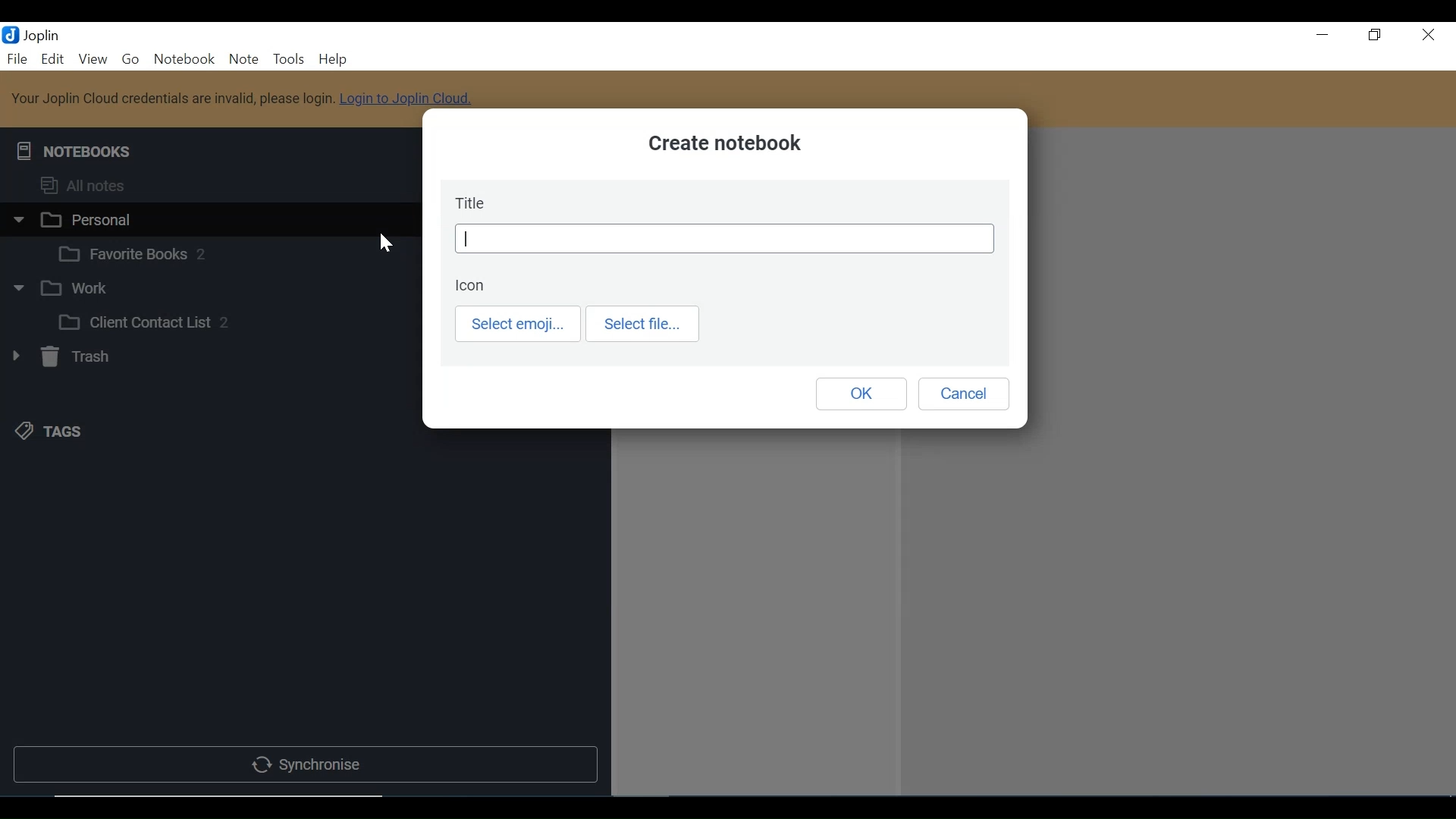  I want to click on Select file, so click(644, 324).